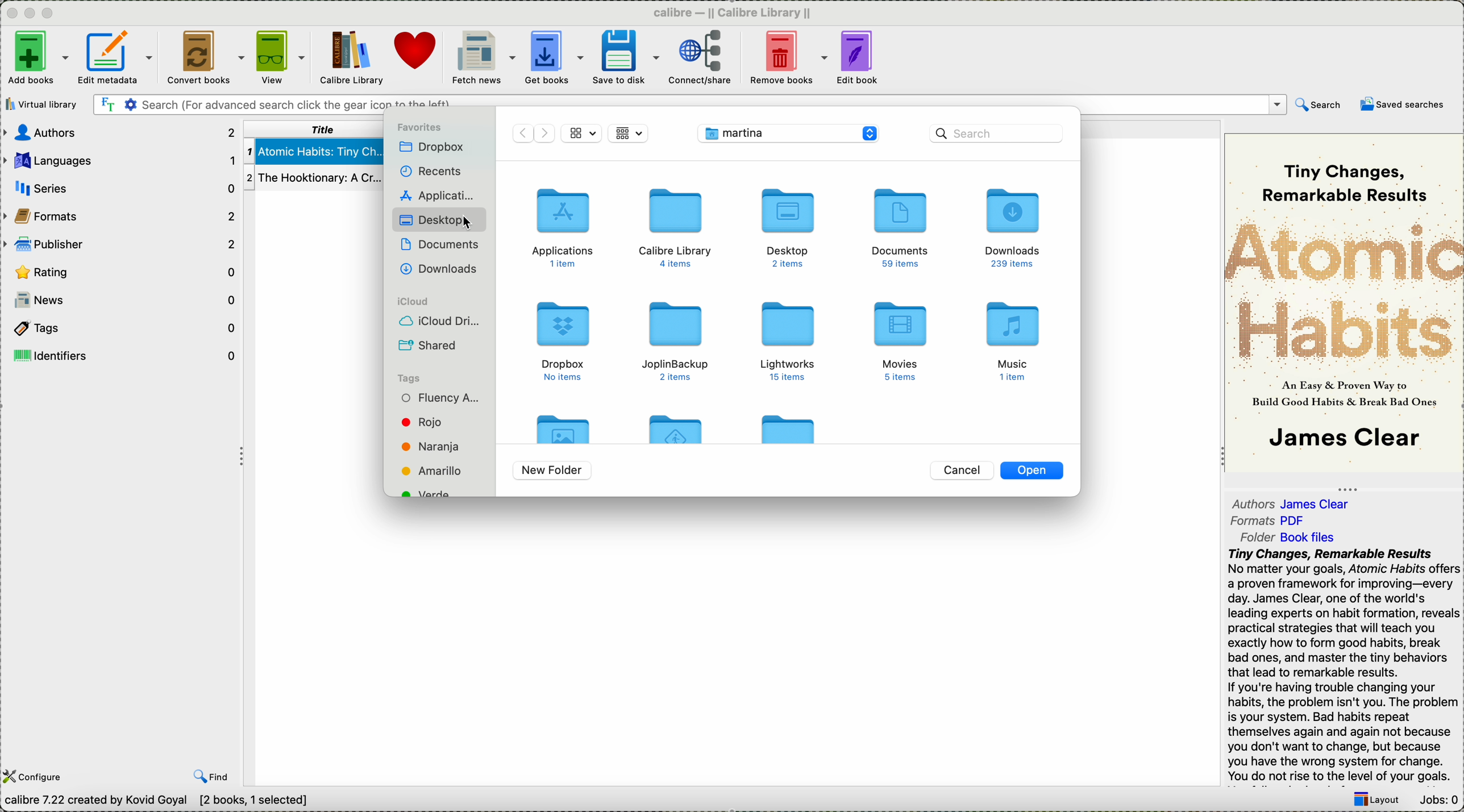 This screenshot has height=812, width=1464. What do you see at coordinates (794, 340) in the screenshot?
I see `lightworks` at bounding box center [794, 340].